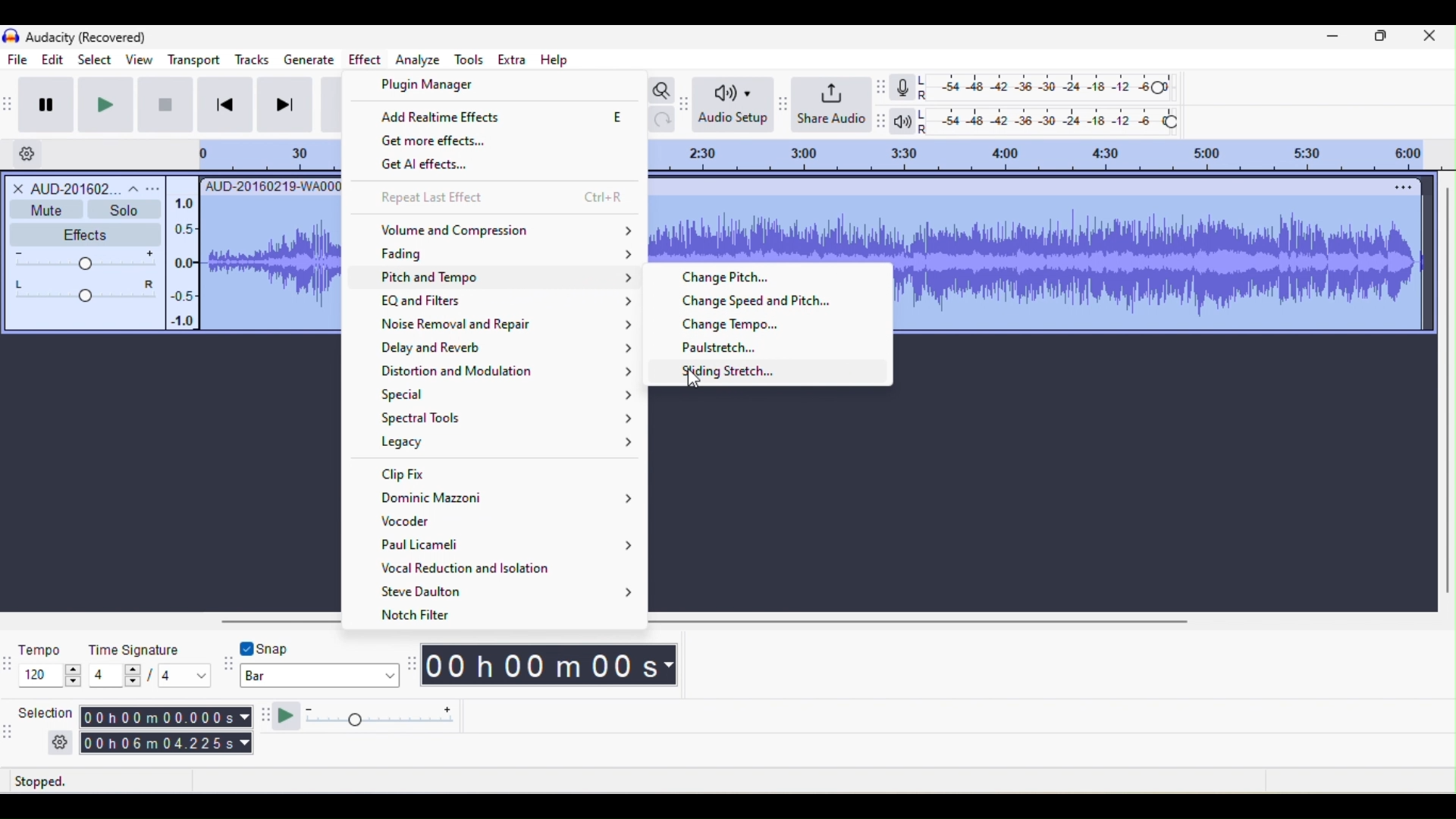 This screenshot has height=819, width=1456. What do you see at coordinates (45, 209) in the screenshot?
I see `Mute` at bounding box center [45, 209].